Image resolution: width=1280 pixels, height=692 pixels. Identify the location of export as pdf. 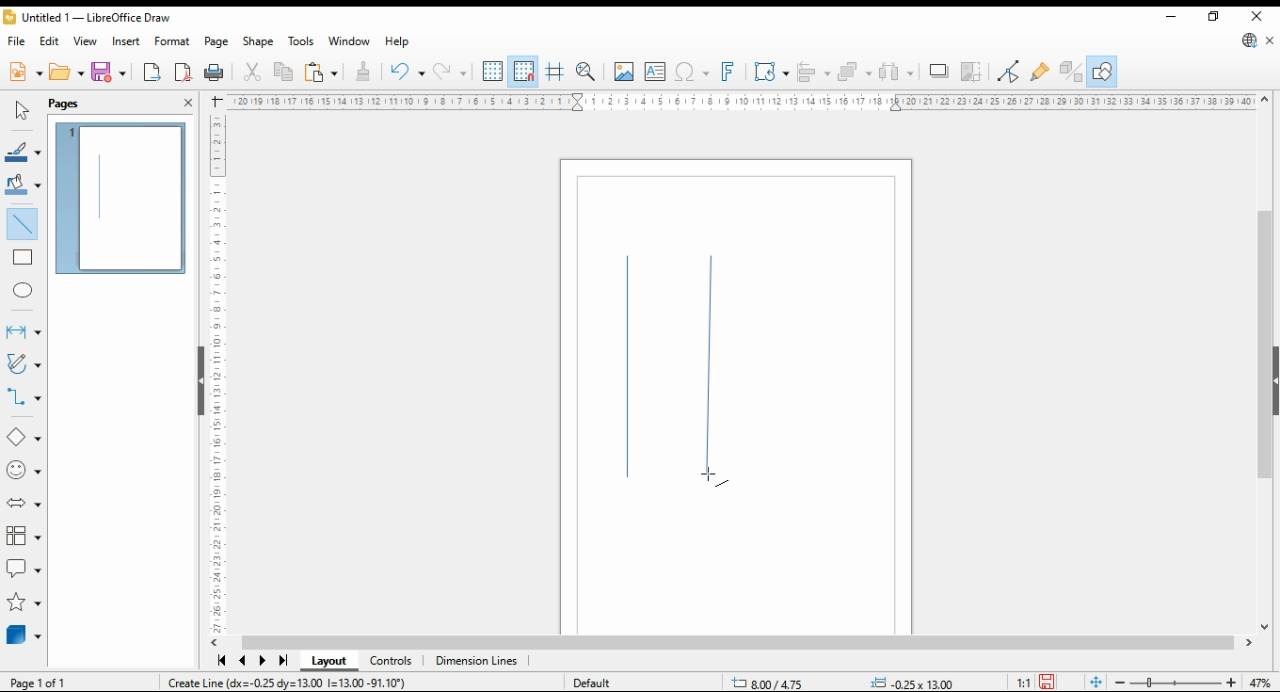
(183, 72).